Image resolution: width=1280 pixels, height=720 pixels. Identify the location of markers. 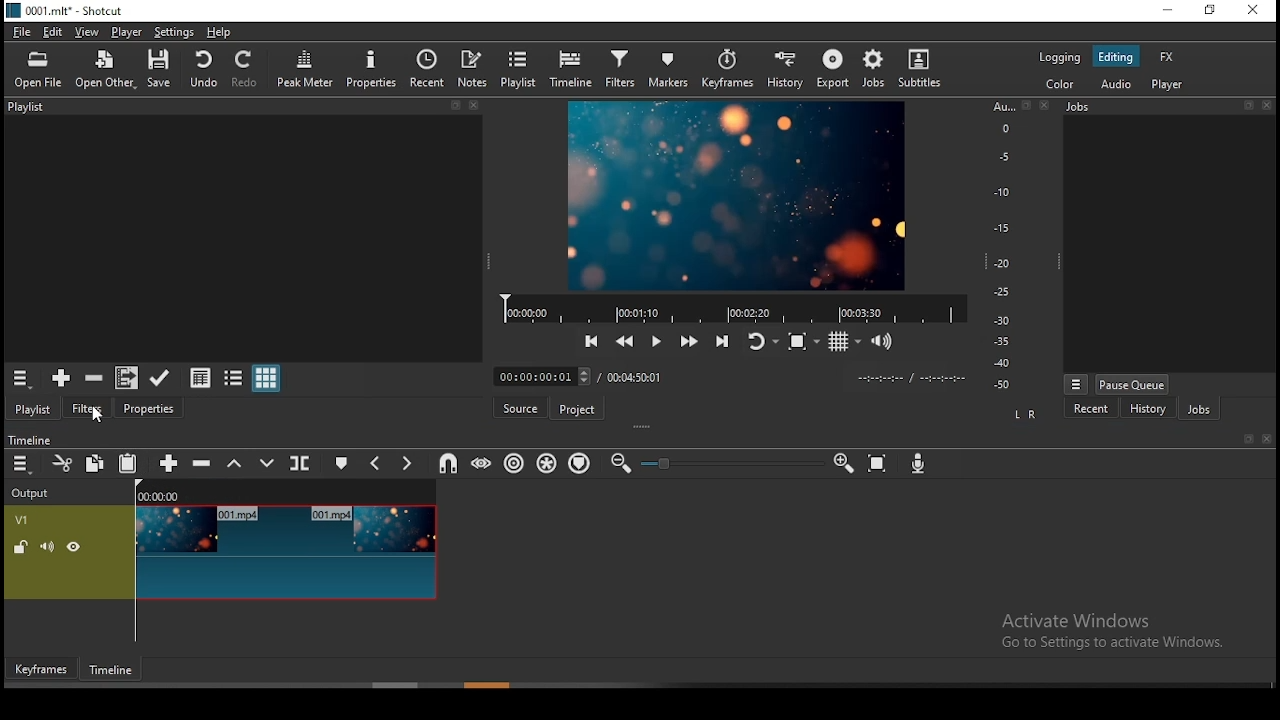
(667, 68).